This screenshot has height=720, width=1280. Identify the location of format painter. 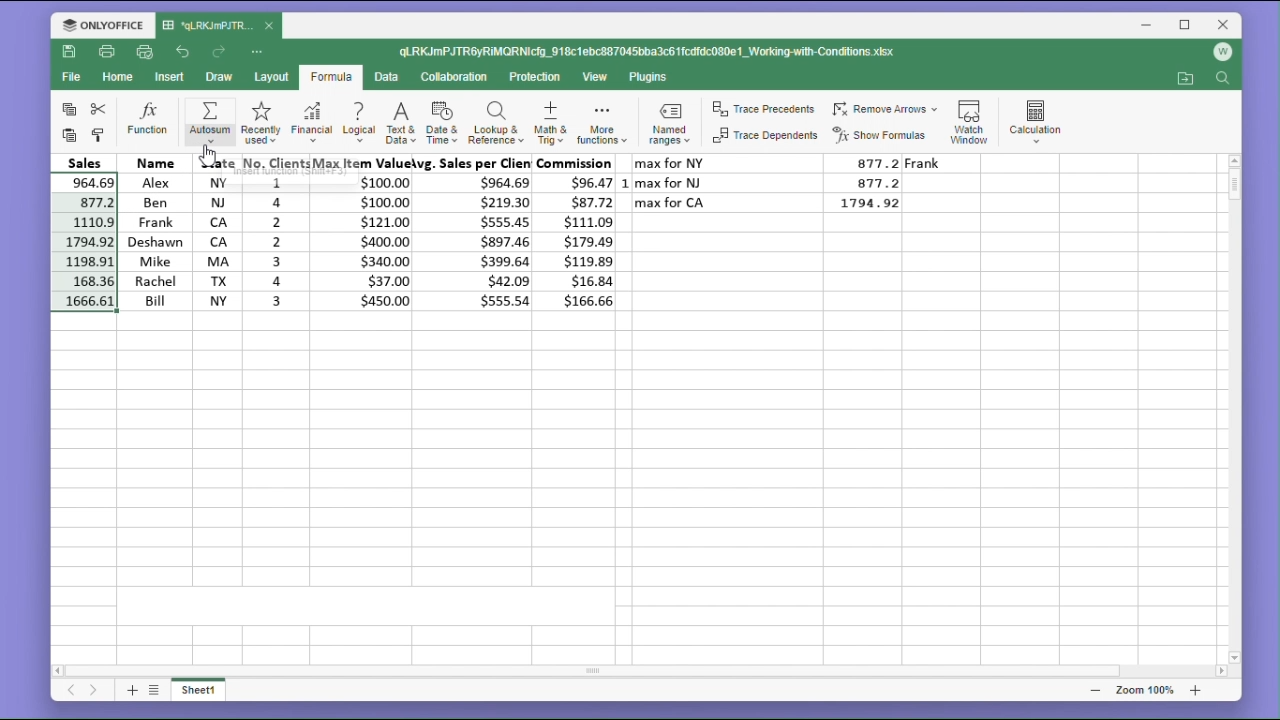
(100, 134).